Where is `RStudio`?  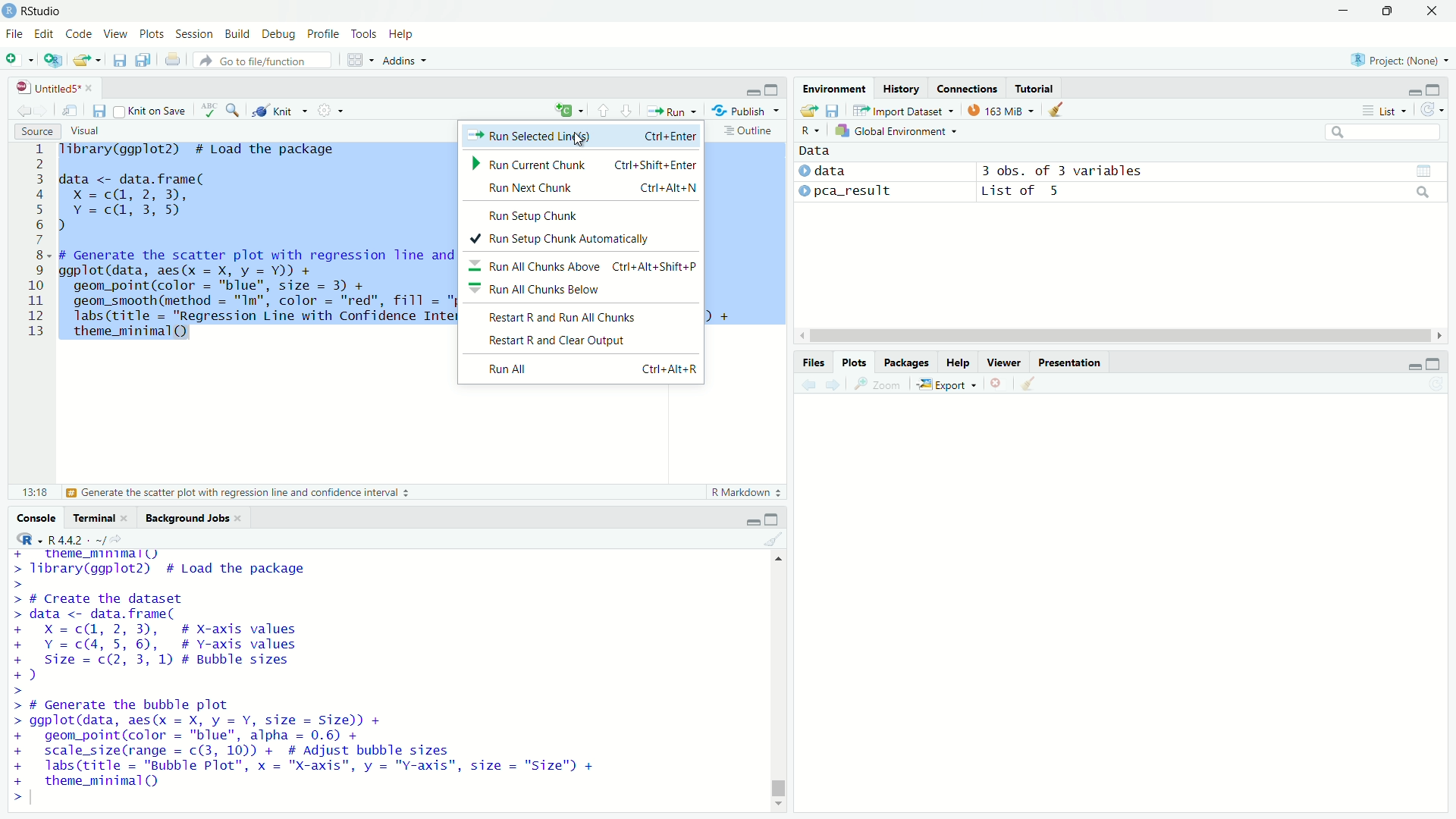
RStudio is located at coordinates (33, 11).